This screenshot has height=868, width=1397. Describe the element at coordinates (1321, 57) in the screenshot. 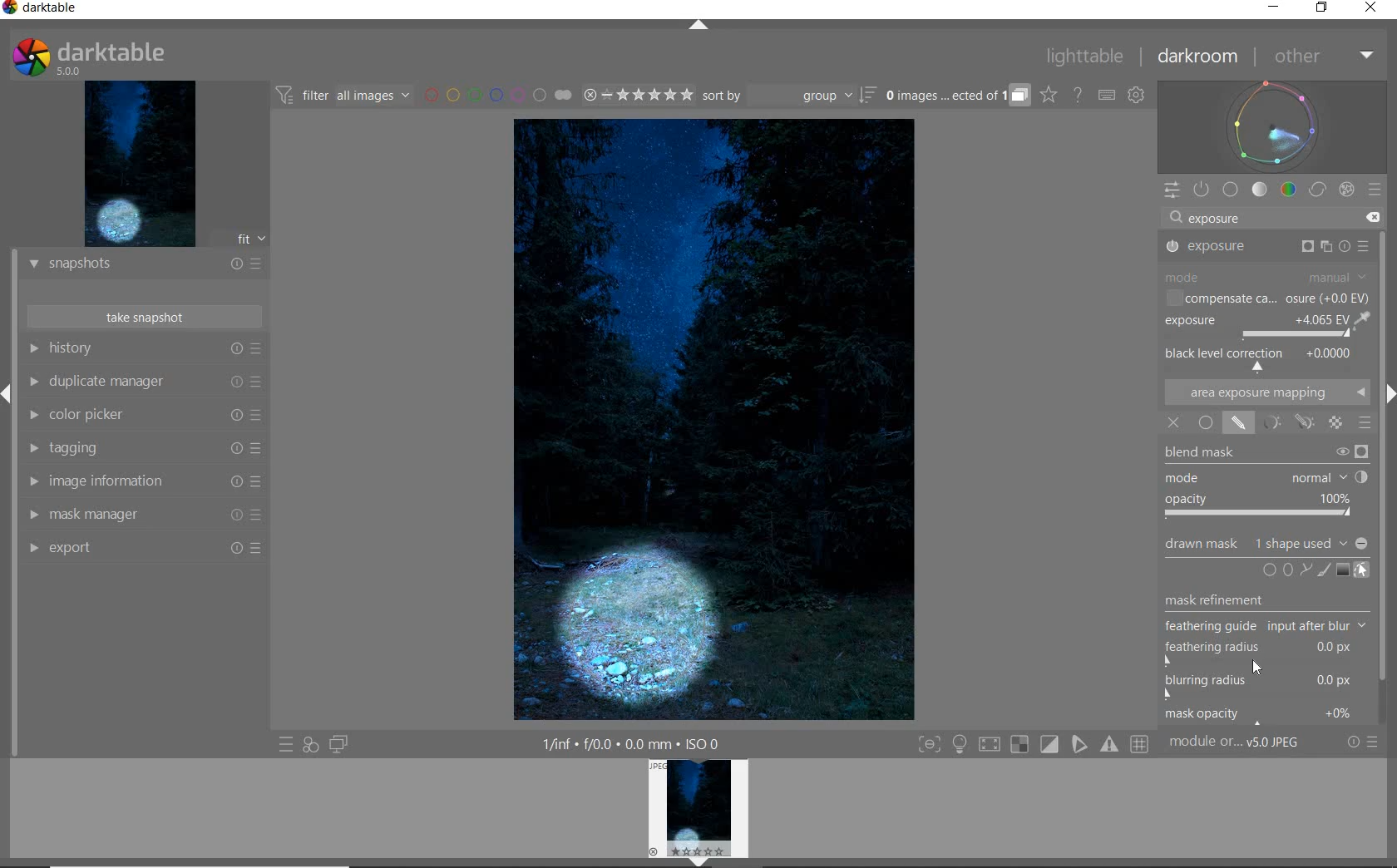

I see `OTHER` at that location.